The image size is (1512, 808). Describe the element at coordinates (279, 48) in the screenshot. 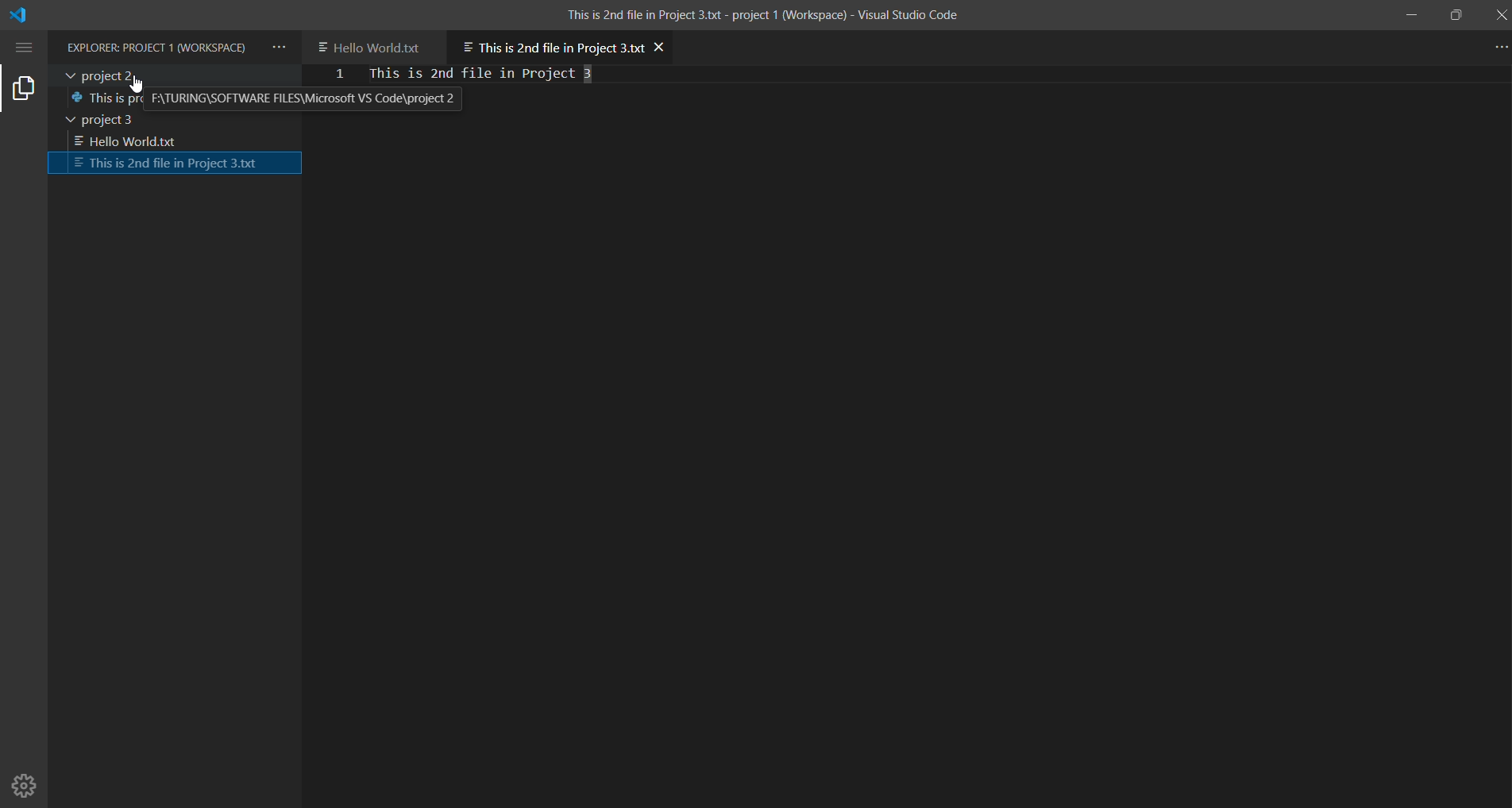

I see `views and more actions` at that location.